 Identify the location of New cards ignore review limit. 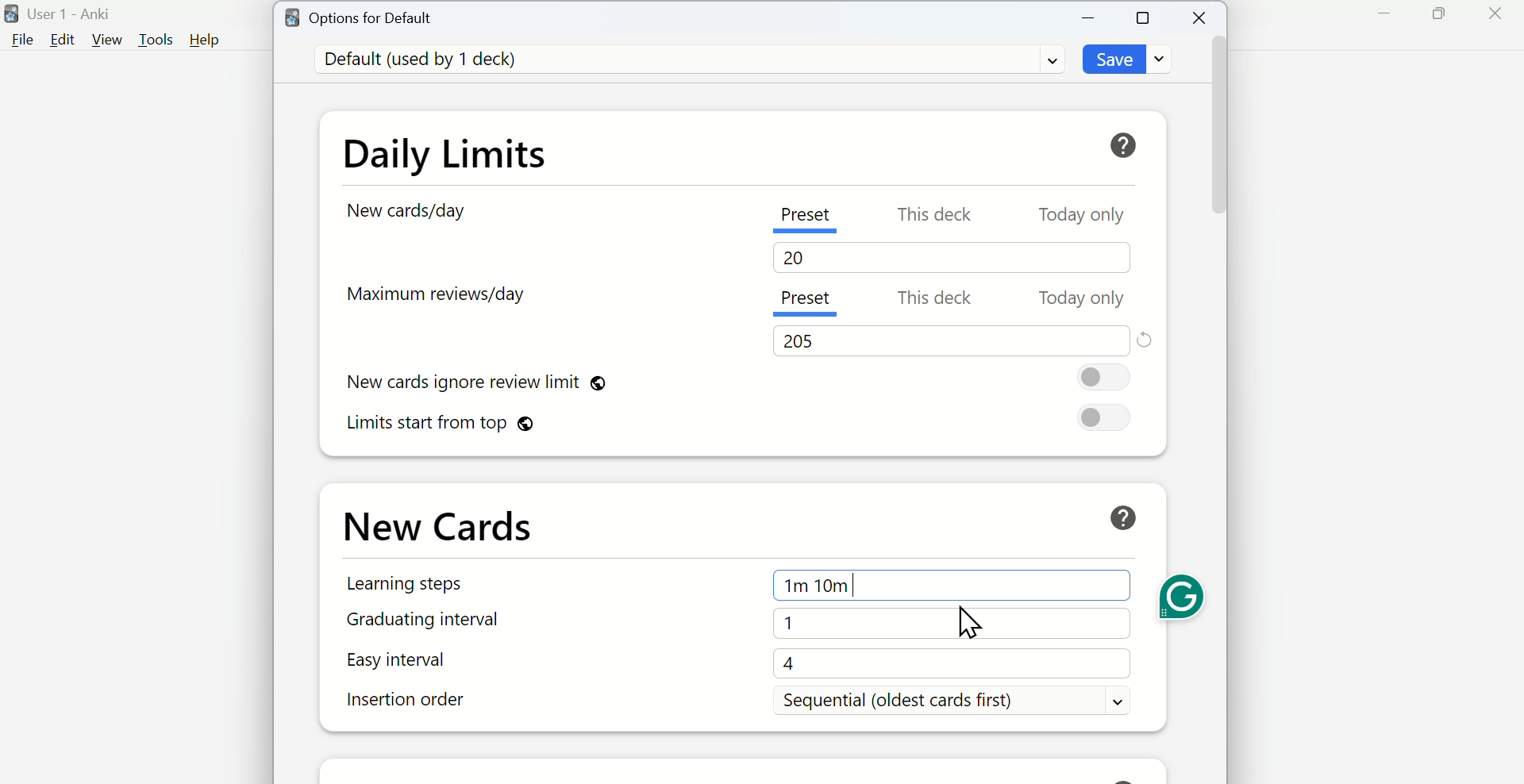
(496, 379).